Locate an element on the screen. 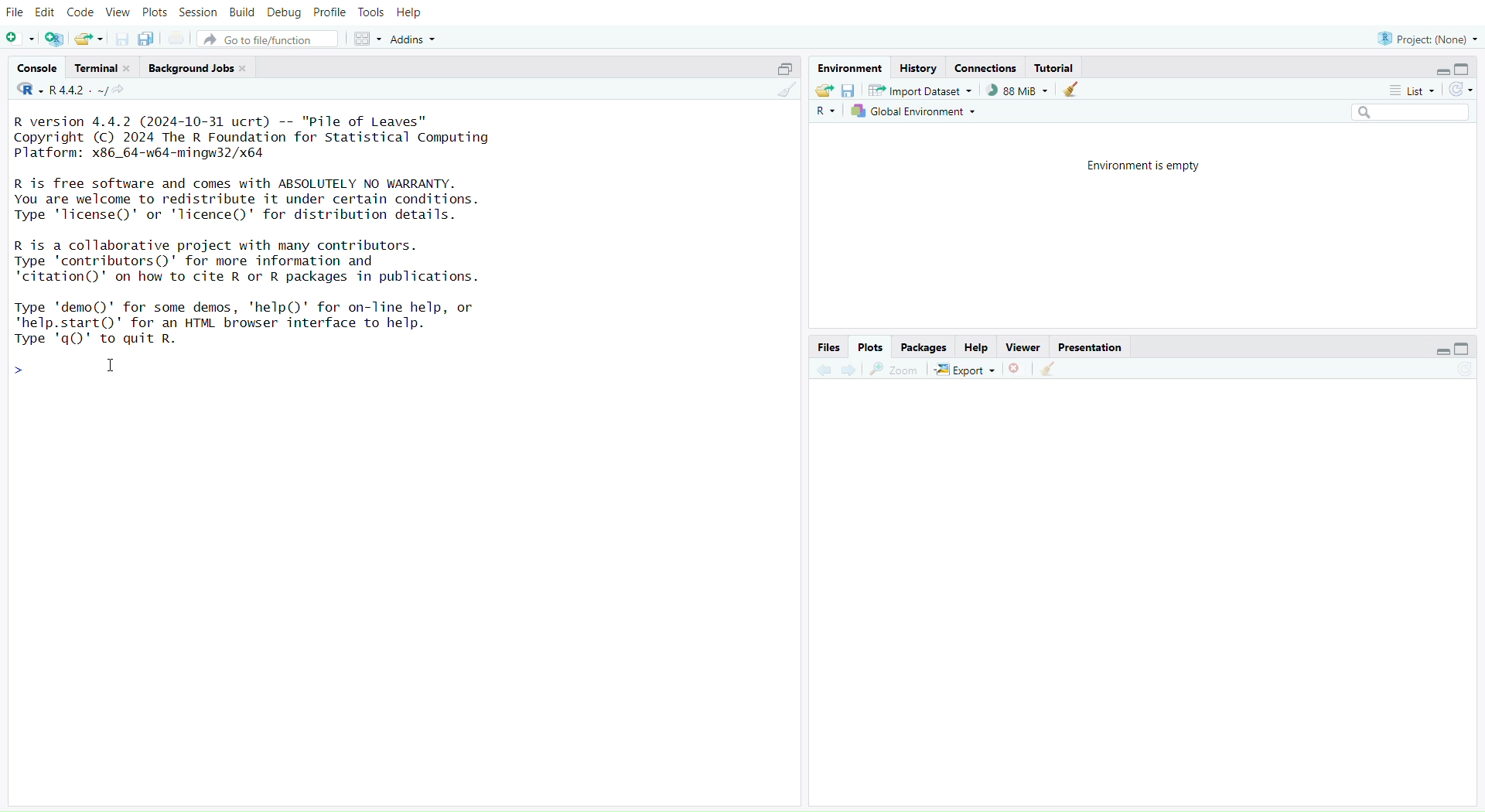 The image size is (1485, 812). addins is located at coordinates (418, 39).